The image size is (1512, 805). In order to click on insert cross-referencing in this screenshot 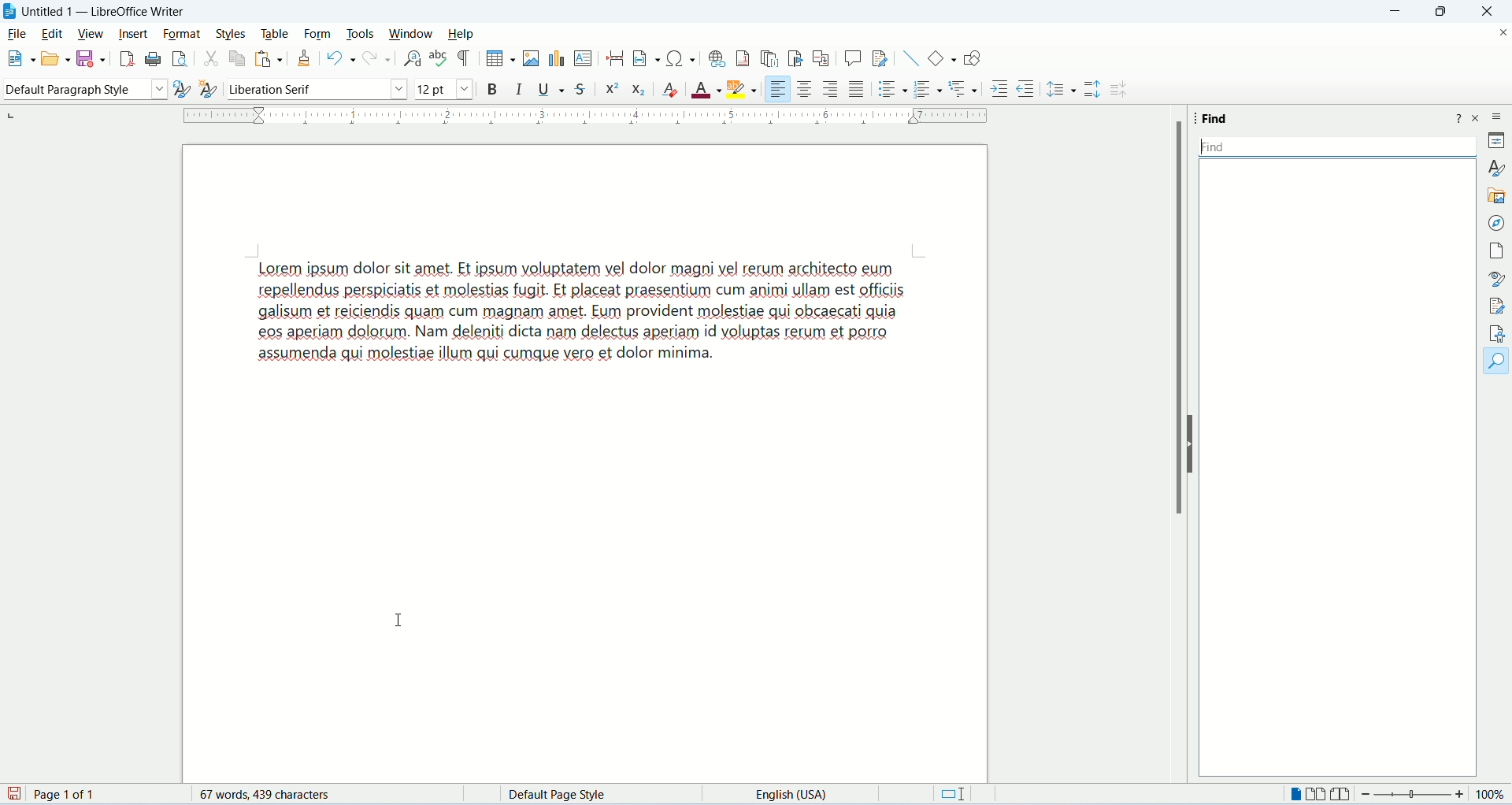, I will do `click(824, 59)`.